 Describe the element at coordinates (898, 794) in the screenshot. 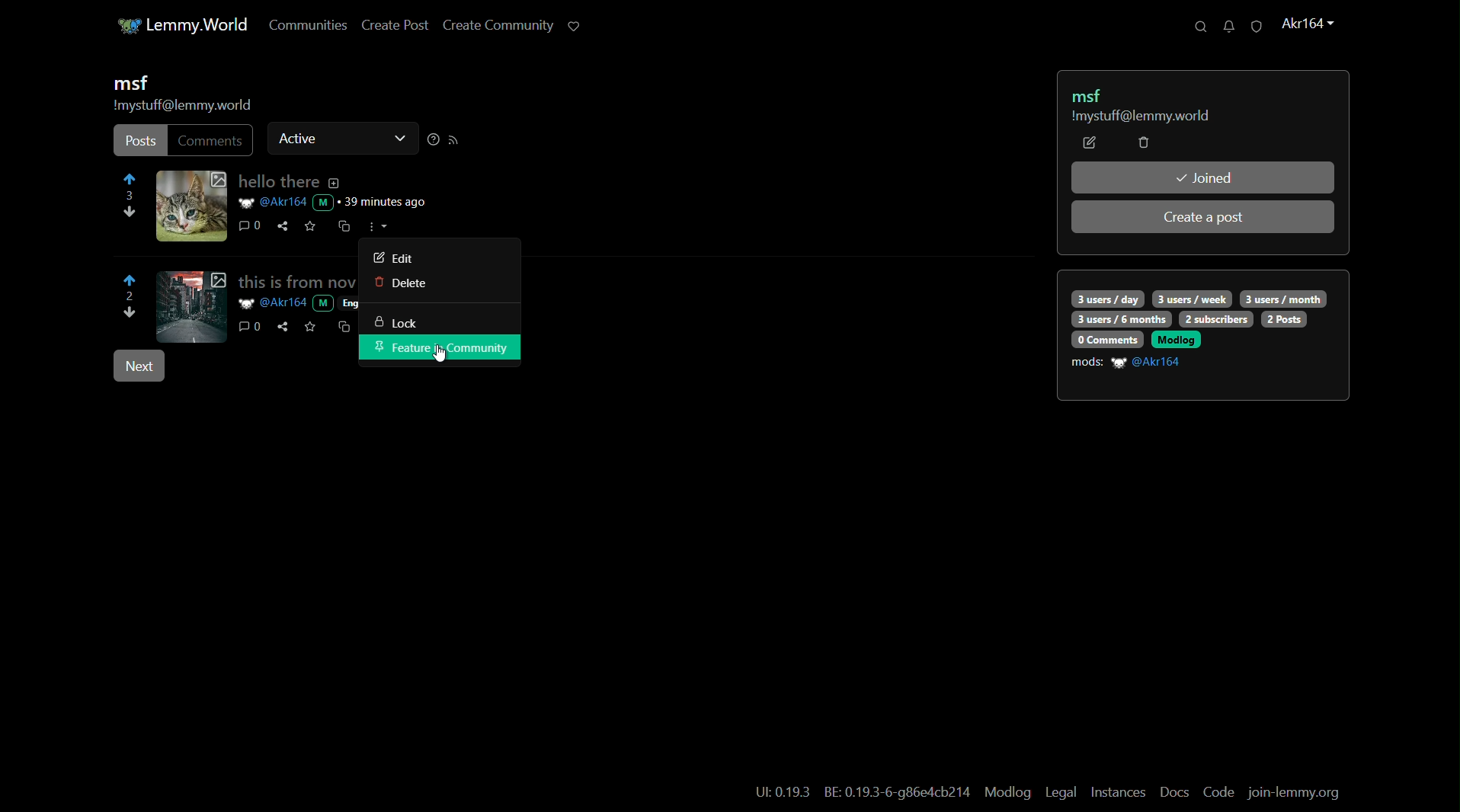

I see `text` at that location.